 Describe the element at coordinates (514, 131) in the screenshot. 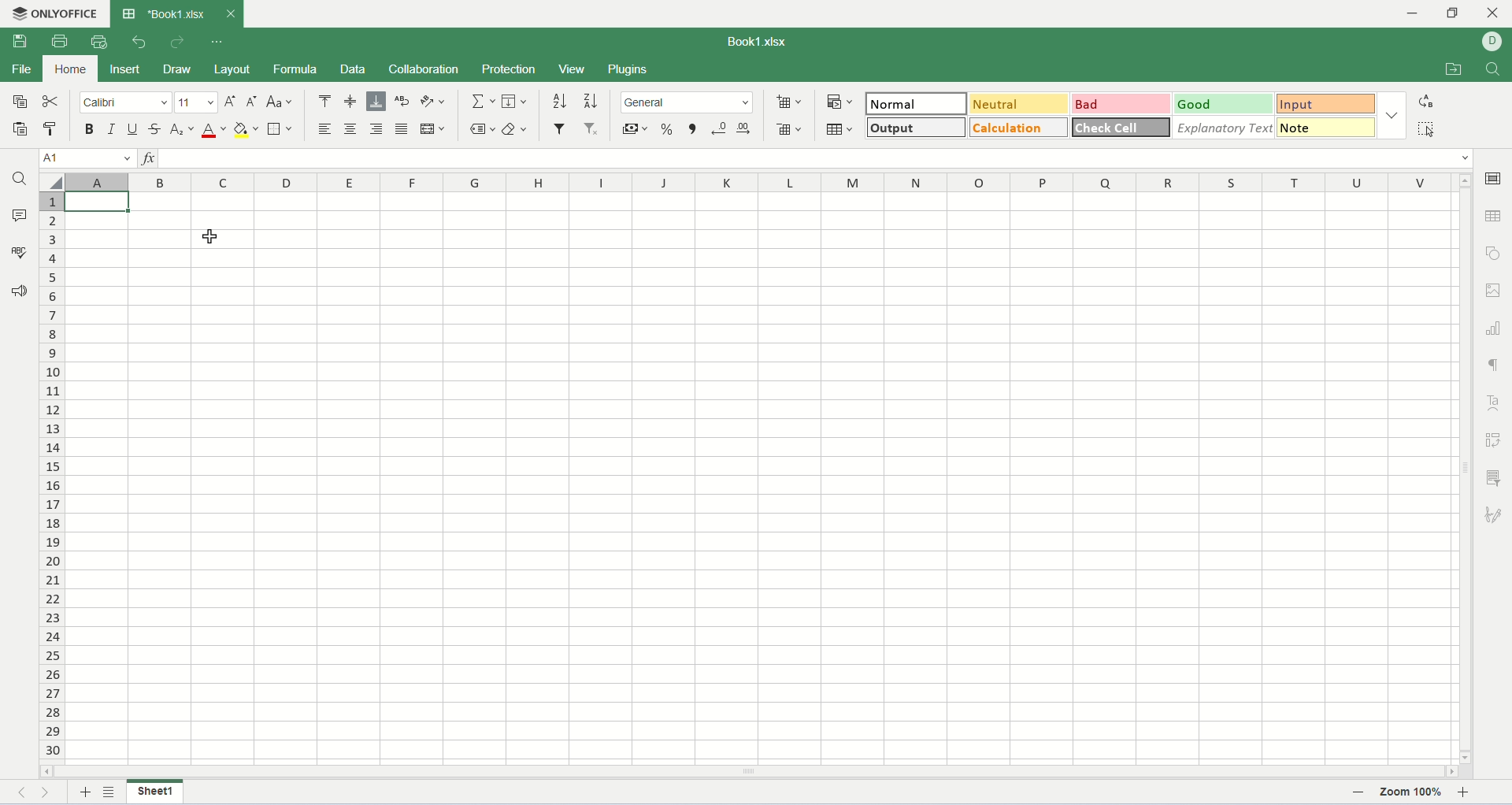

I see `clear` at that location.